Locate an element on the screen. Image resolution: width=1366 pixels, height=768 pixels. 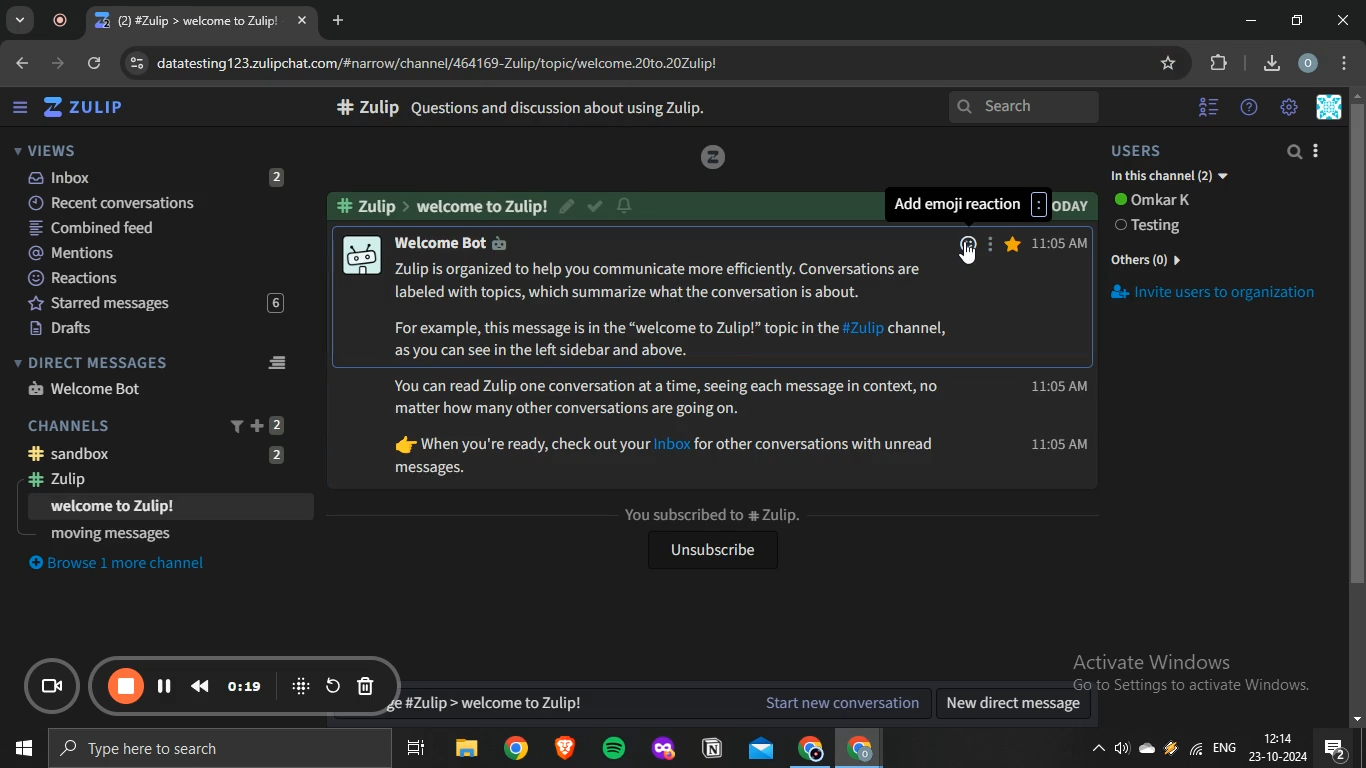
moving messages is located at coordinates (112, 533).